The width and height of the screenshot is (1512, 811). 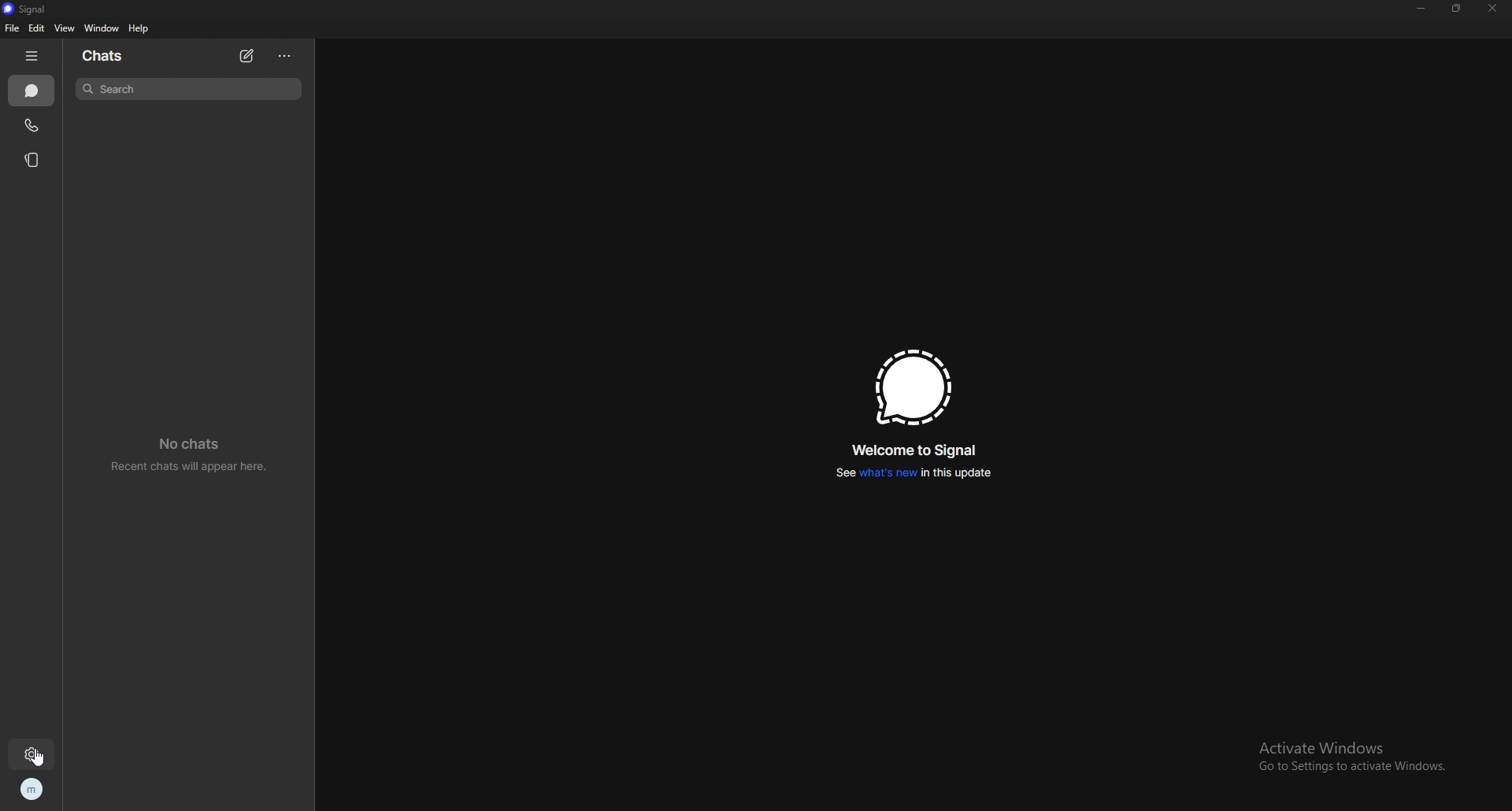 I want to click on chats, so click(x=104, y=56).